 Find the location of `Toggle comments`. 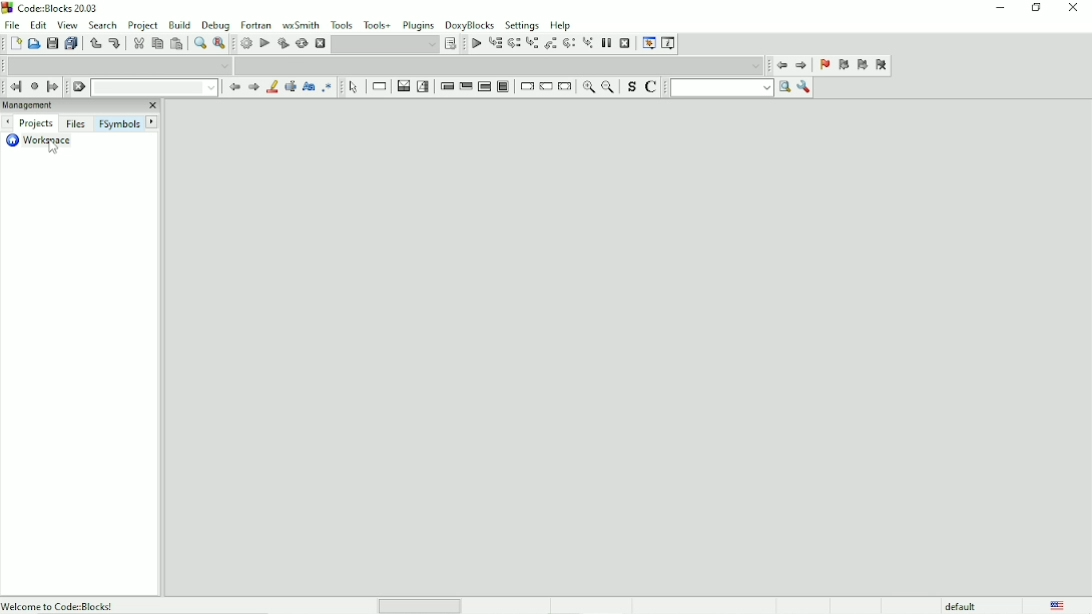

Toggle comments is located at coordinates (653, 87).